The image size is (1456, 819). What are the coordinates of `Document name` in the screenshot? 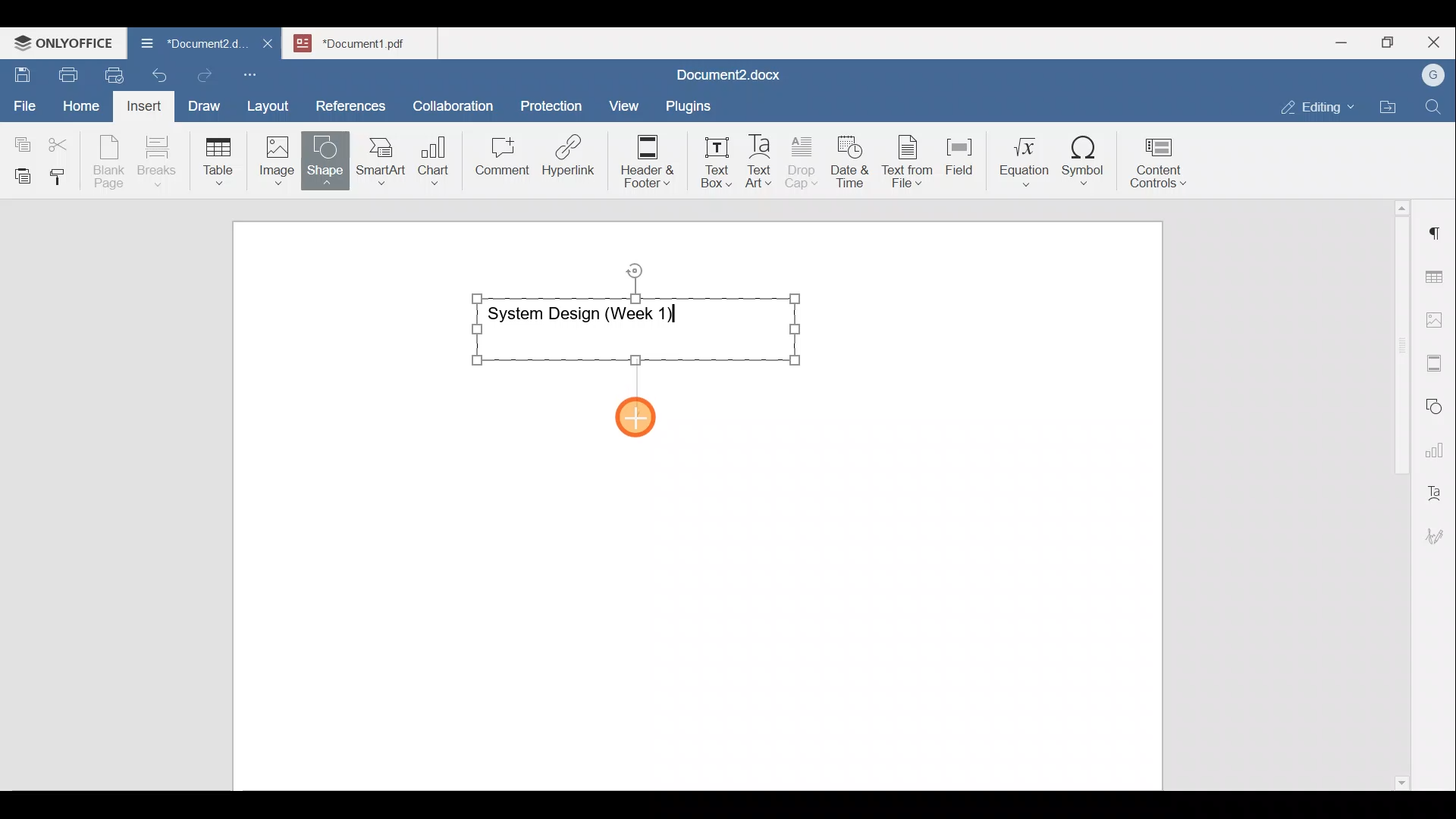 It's located at (185, 45).